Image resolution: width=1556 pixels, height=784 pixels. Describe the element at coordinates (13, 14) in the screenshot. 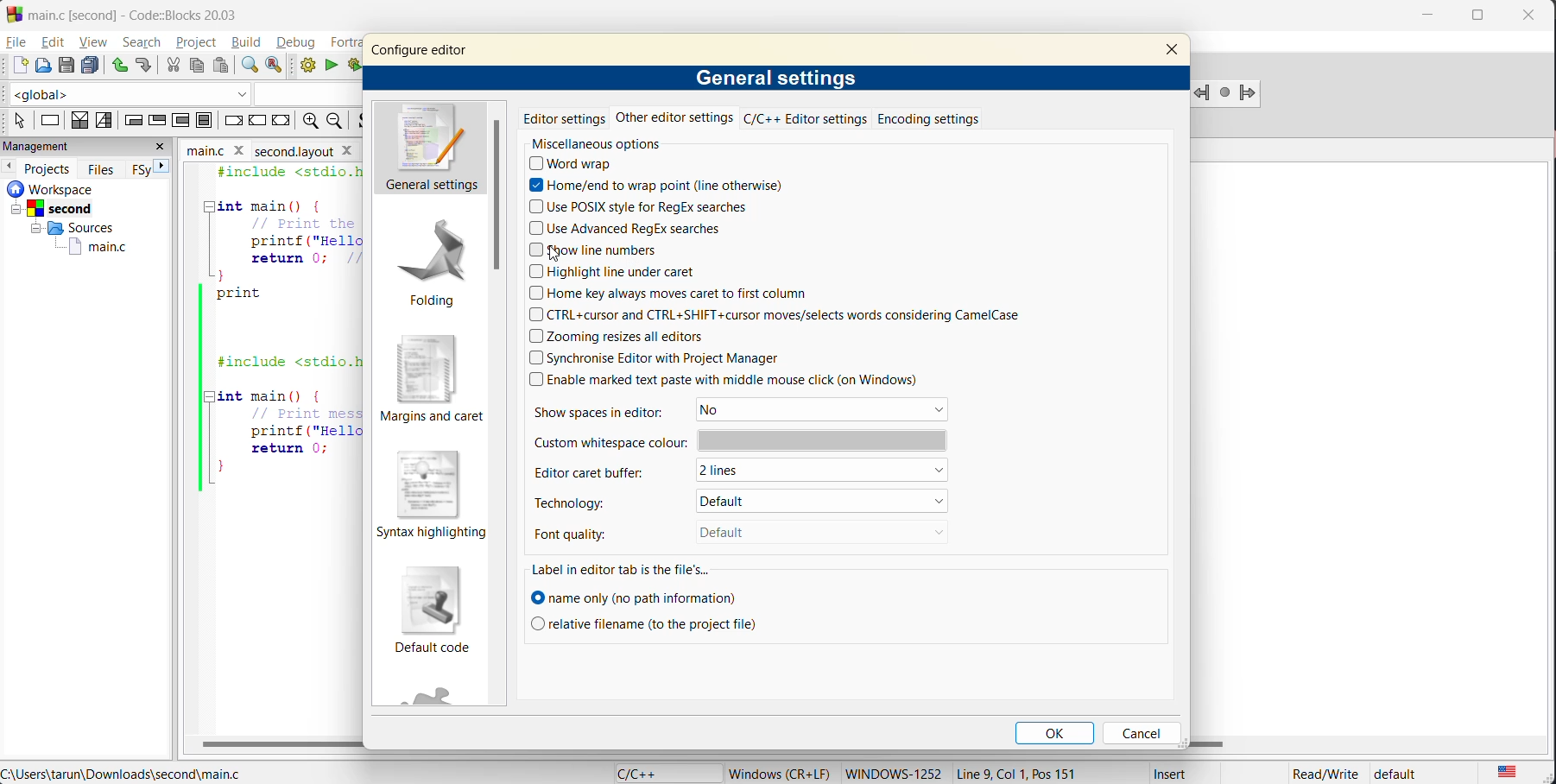

I see `Codeblock logo` at that location.